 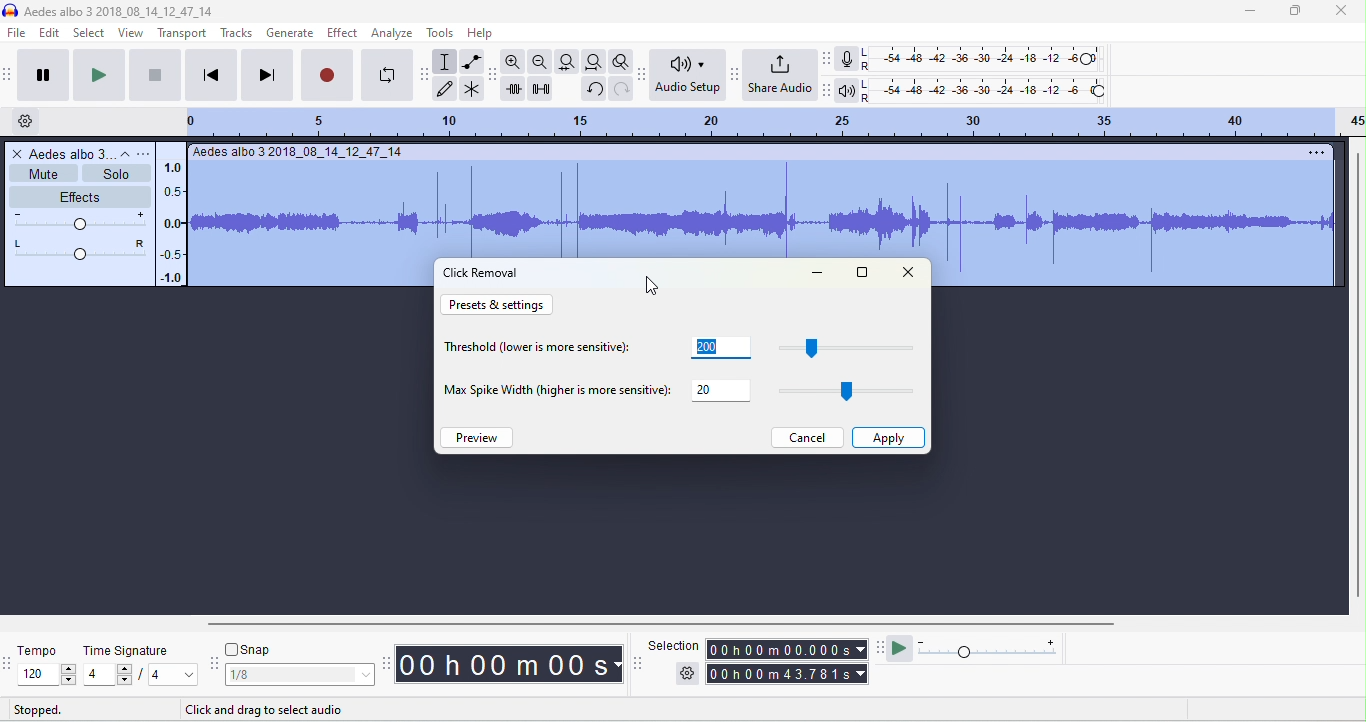 I want to click on file, so click(x=16, y=32).